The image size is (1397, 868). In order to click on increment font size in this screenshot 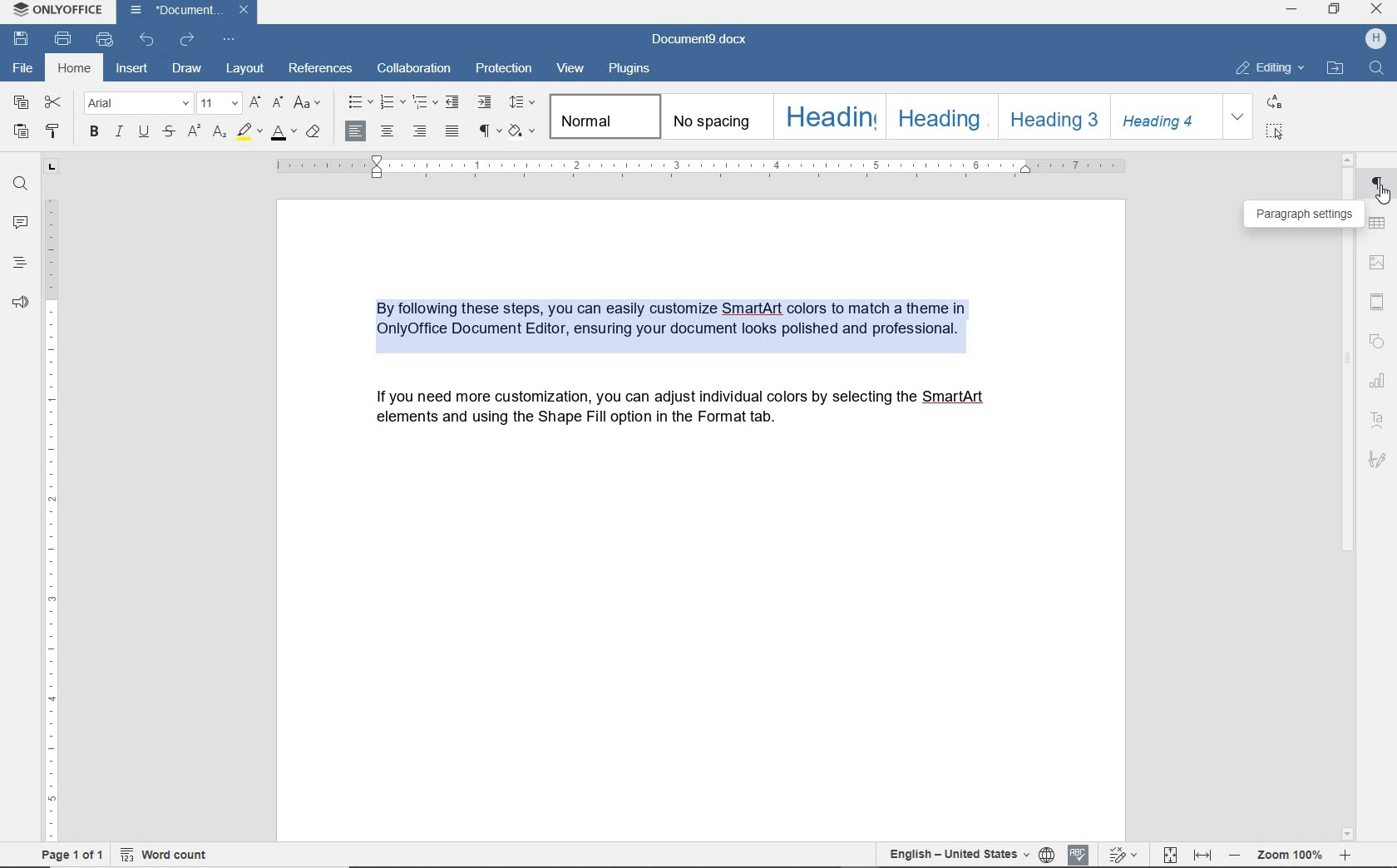, I will do `click(255, 102)`.